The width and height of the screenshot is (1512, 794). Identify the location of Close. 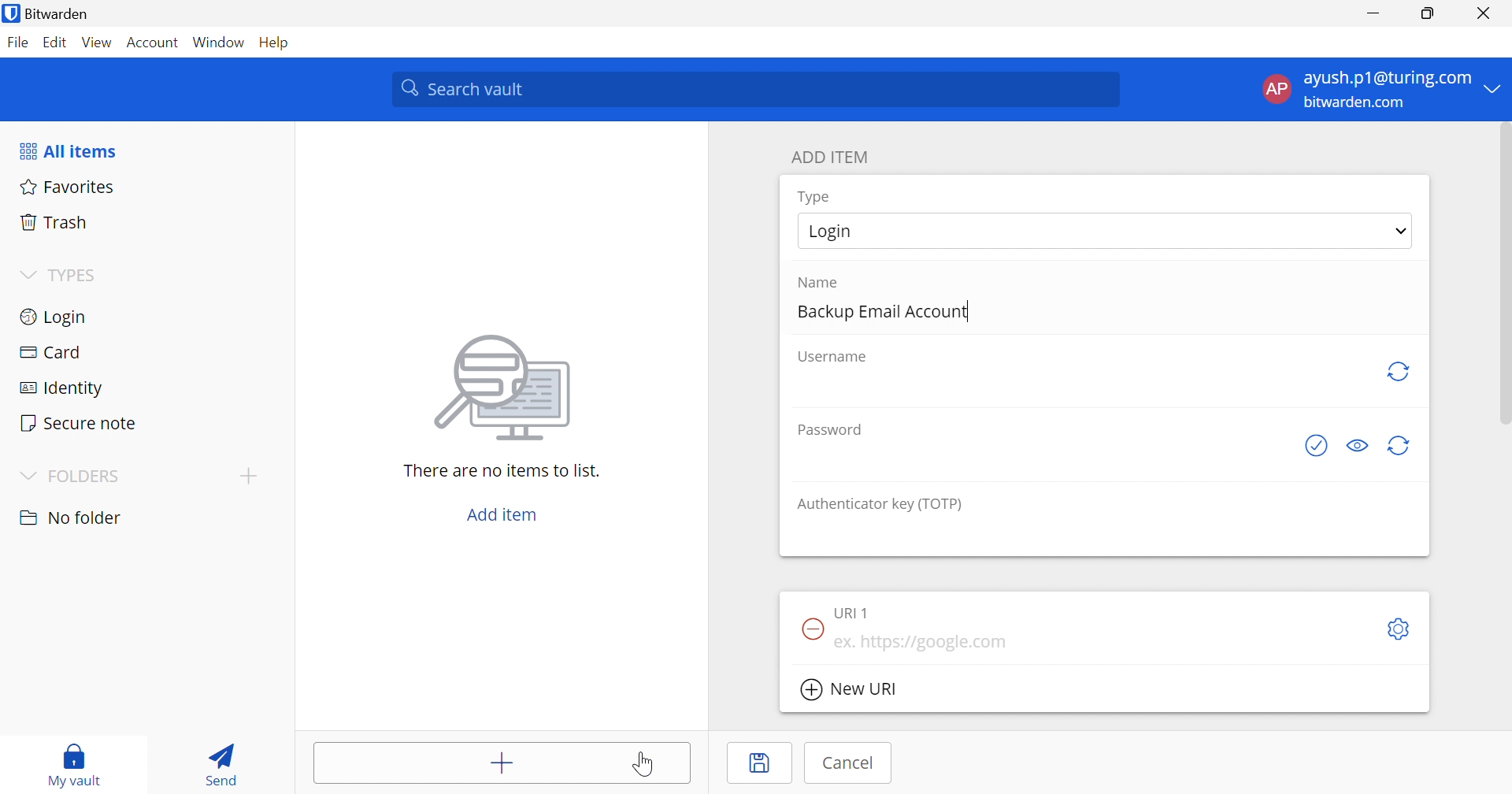
(1484, 13).